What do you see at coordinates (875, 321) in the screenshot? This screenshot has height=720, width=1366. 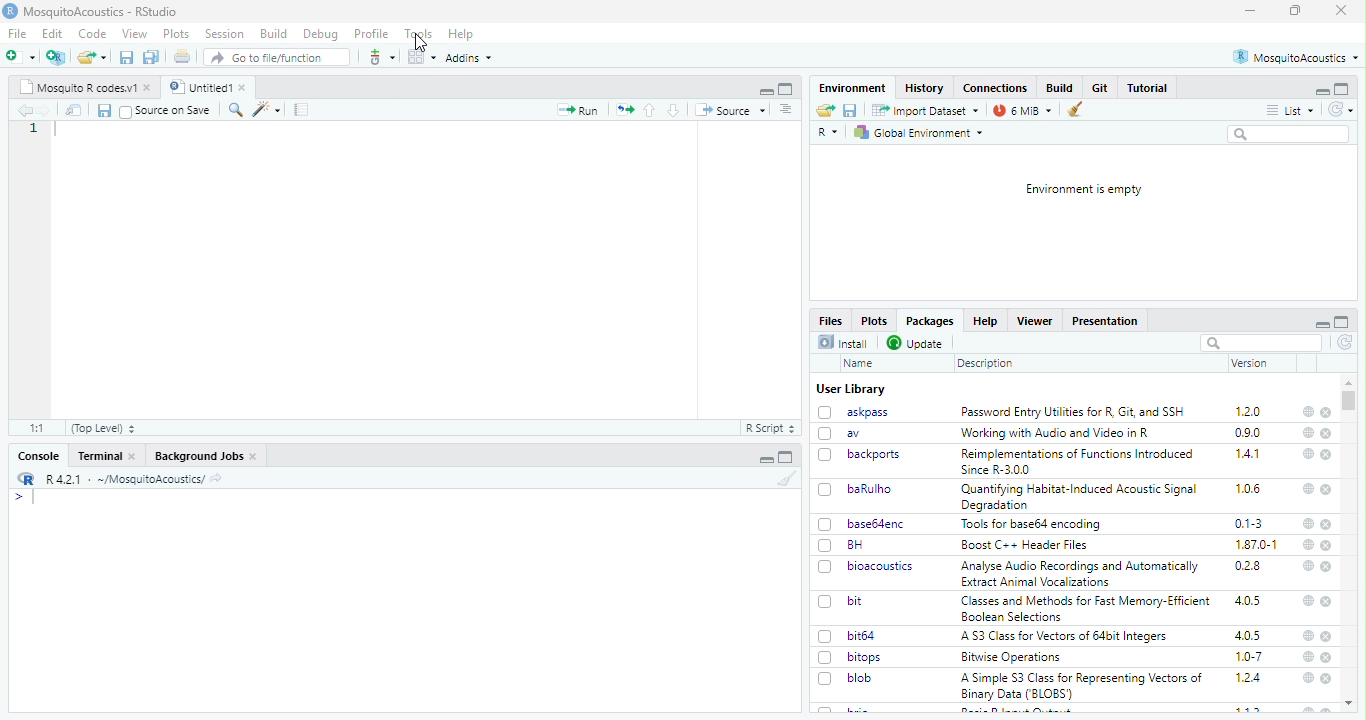 I see `Plots` at bounding box center [875, 321].